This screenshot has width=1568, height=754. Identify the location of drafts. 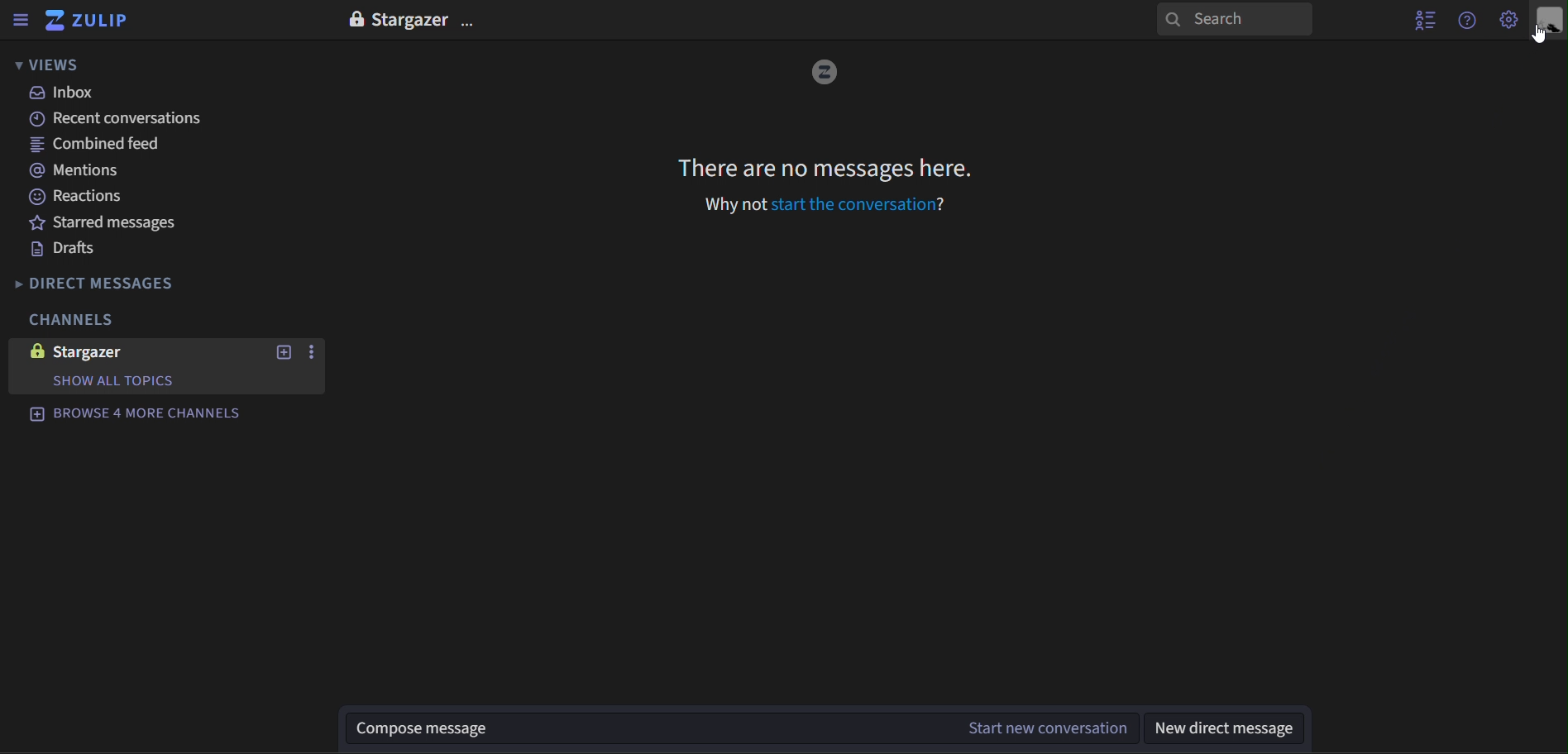
(67, 249).